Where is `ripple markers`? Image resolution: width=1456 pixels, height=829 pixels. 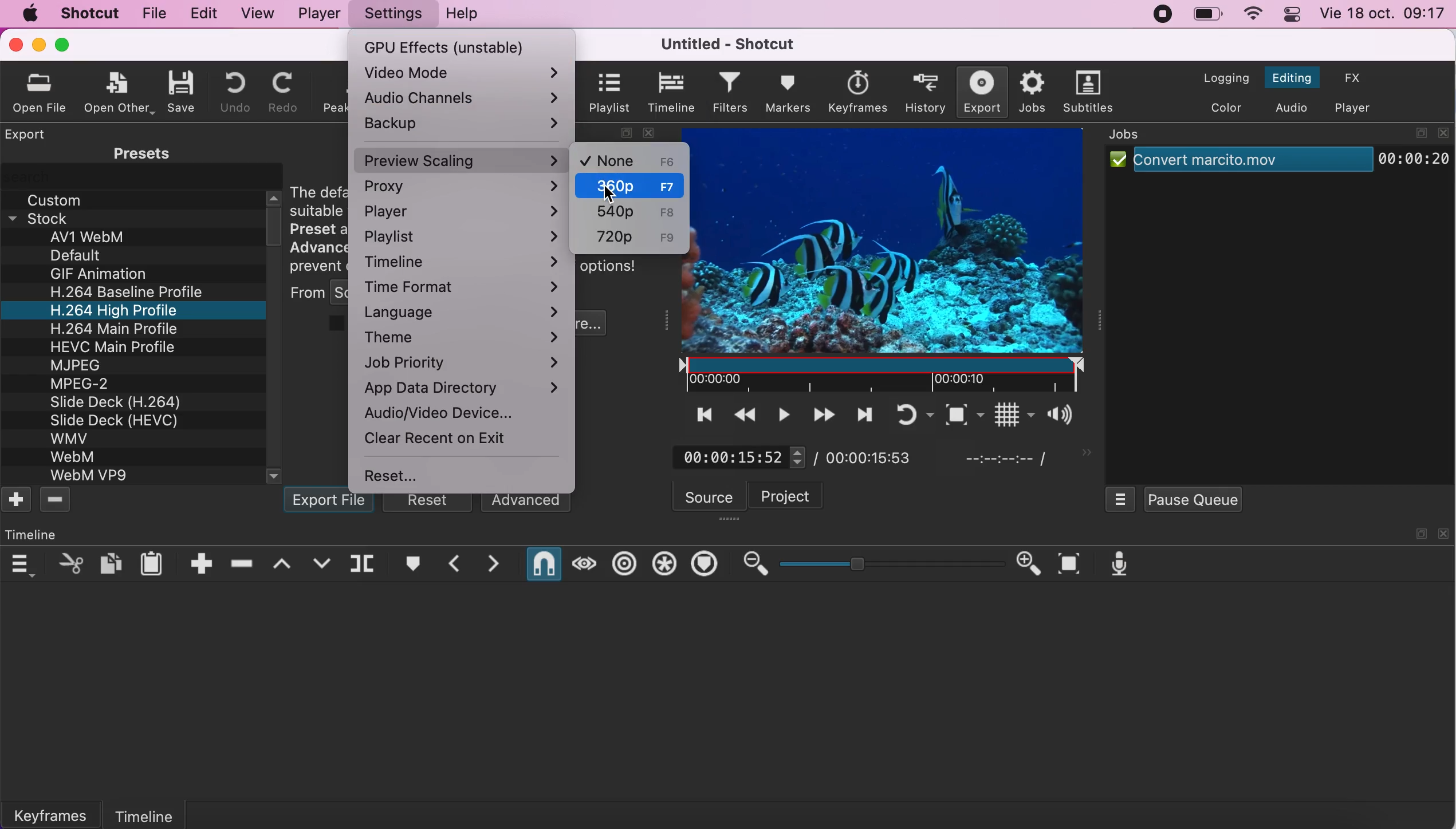 ripple markers is located at coordinates (705, 564).